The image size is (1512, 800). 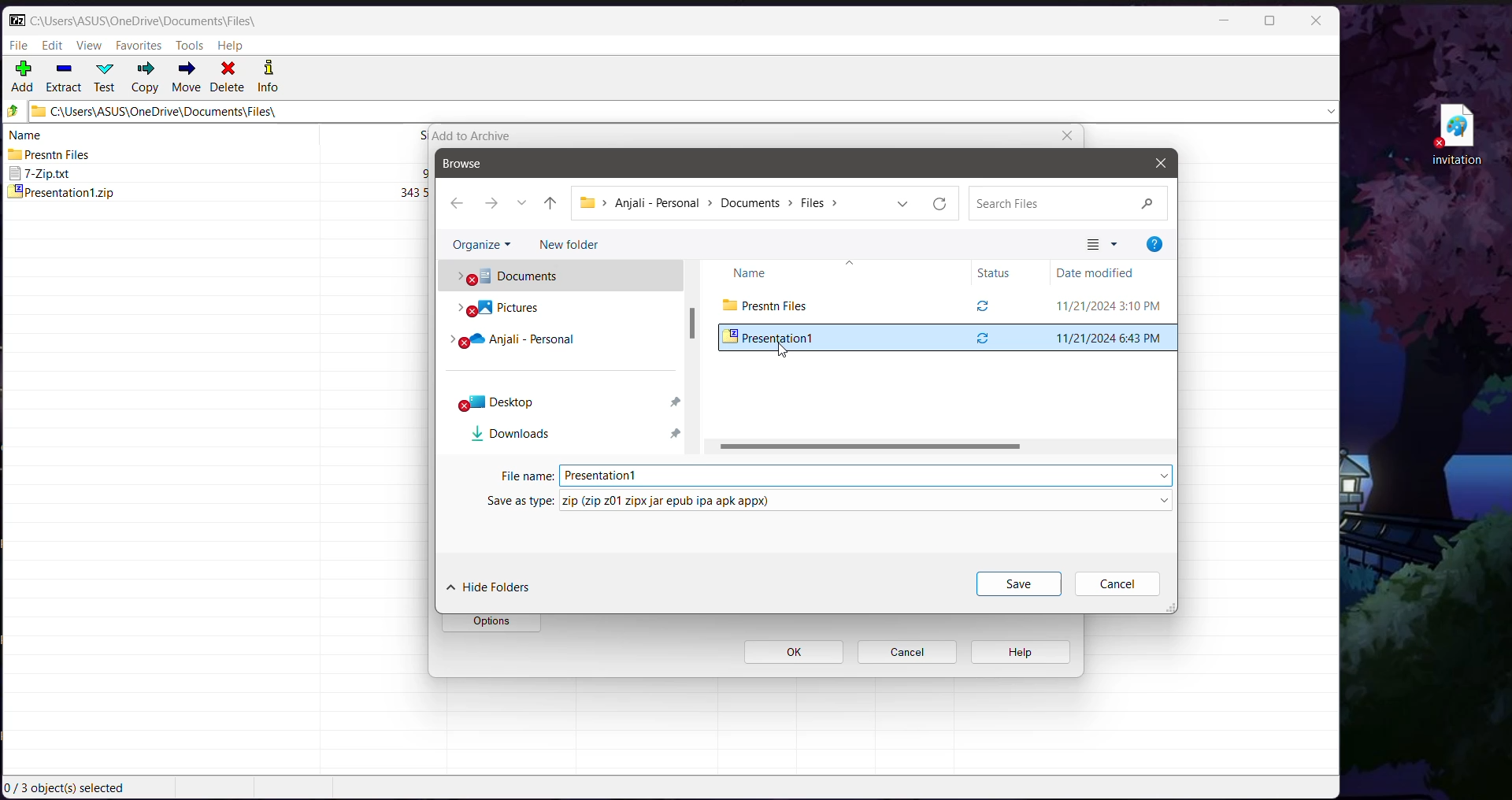 I want to click on Change your view, so click(x=1101, y=245).